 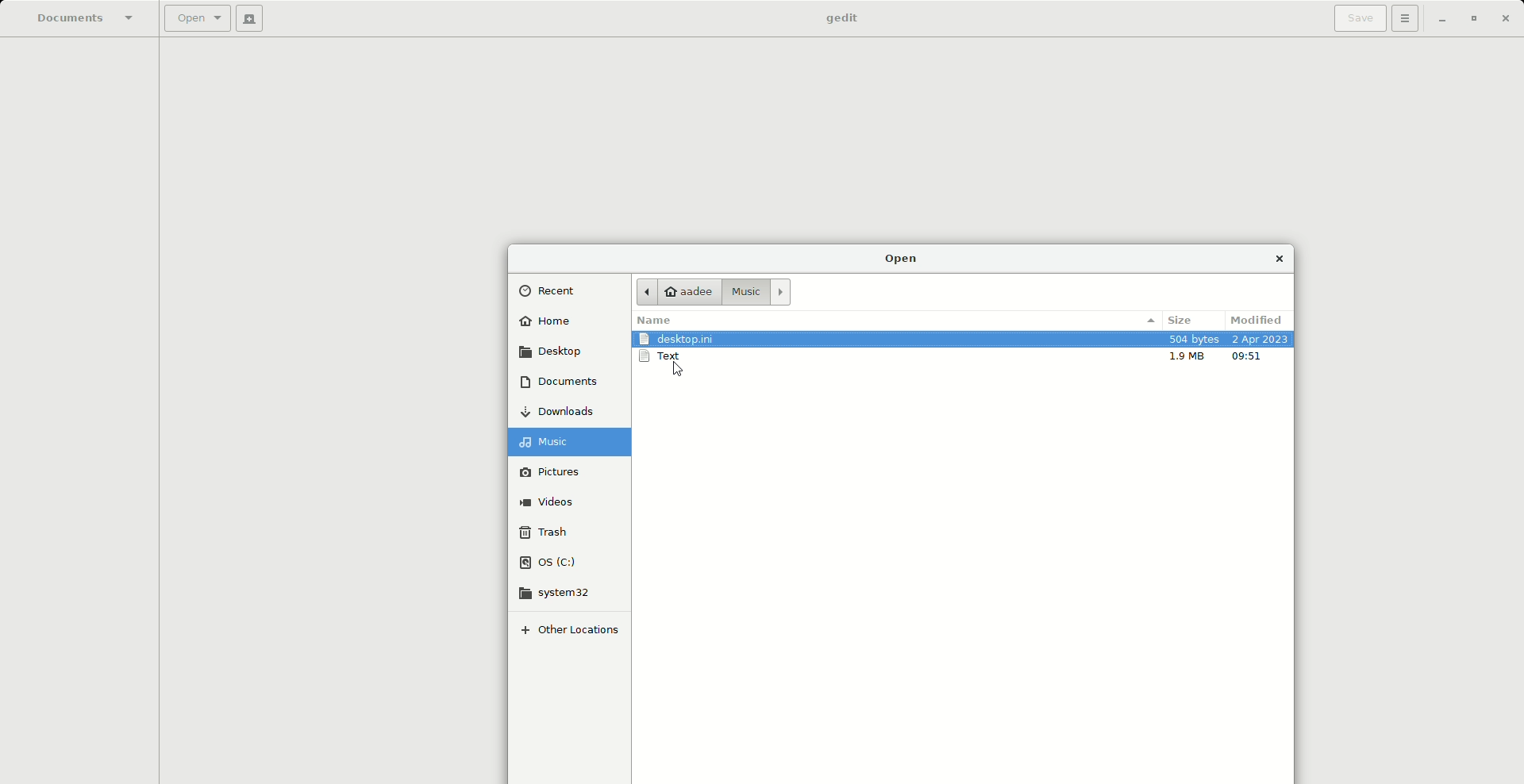 What do you see at coordinates (1360, 19) in the screenshot?
I see `Save` at bounding box center [1360, 19].